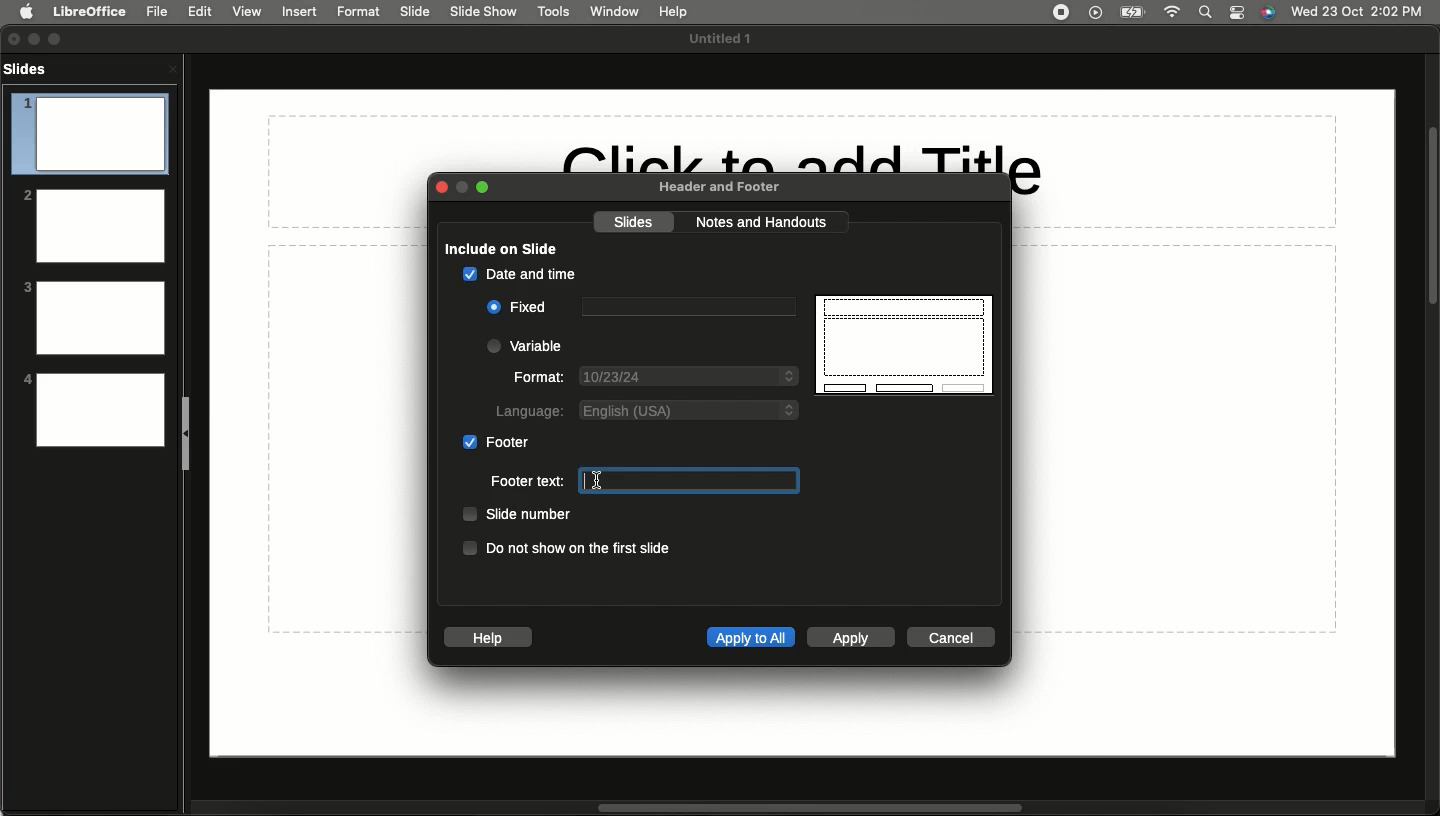 Image resolution: width=1440 pixels, height=816 pixels. Describe the element at coordinates (14, 39) in the screenshot. I see `Close` at that location.